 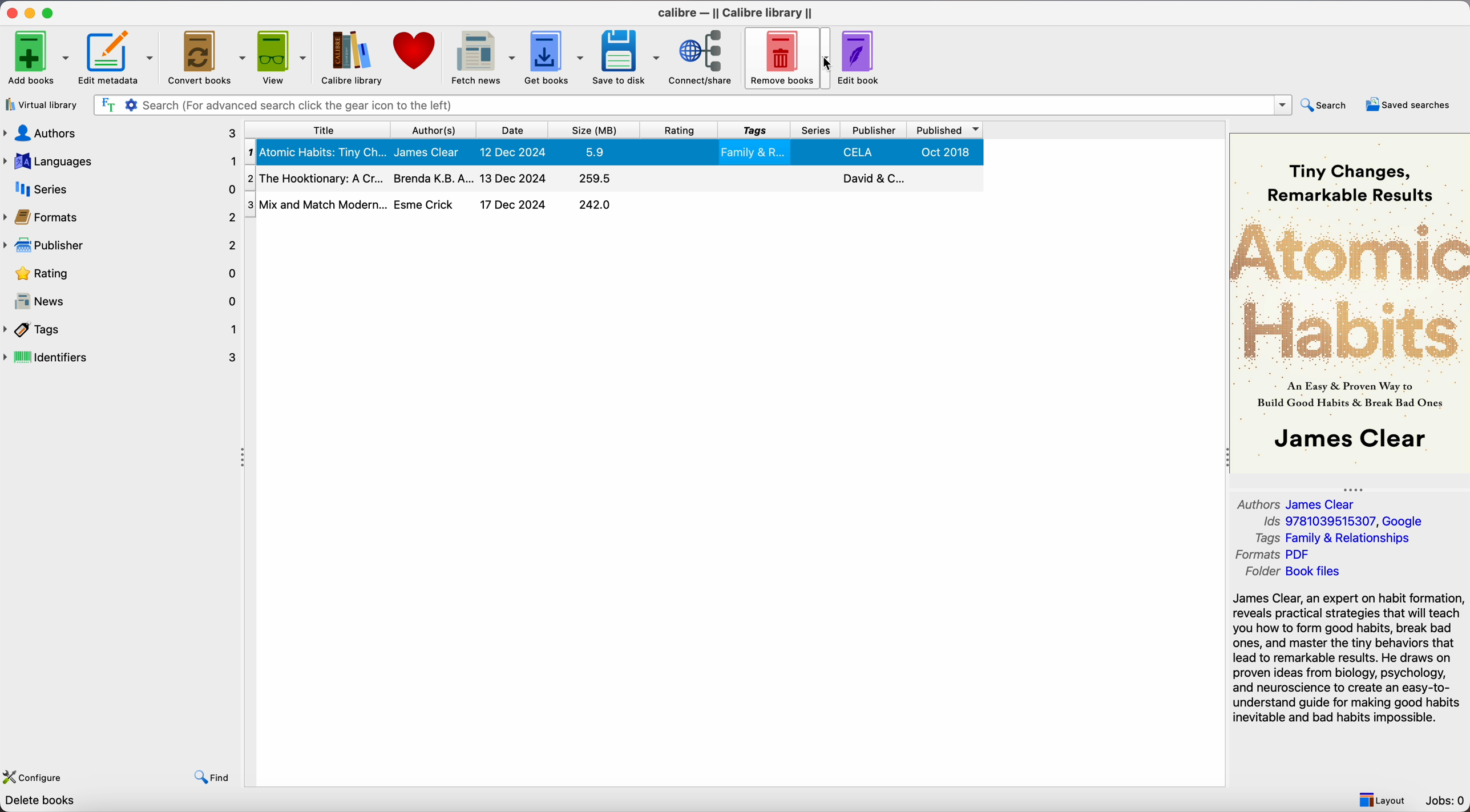 I want to click on Family & R.., so click(x=751, y=152).